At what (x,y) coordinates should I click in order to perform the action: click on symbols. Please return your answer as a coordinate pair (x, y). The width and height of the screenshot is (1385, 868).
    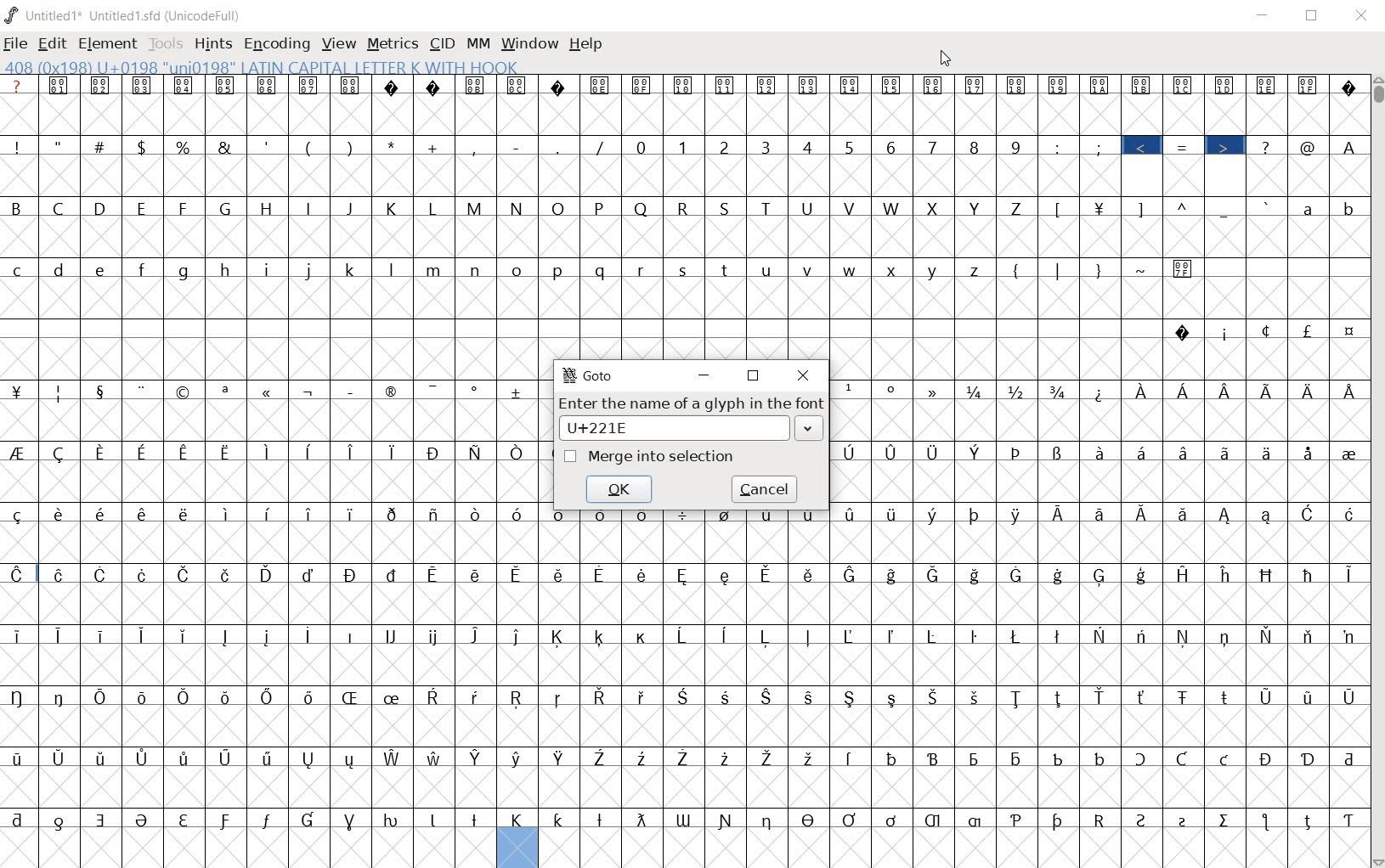
    Looking at the image, I should click on (1077, 146).